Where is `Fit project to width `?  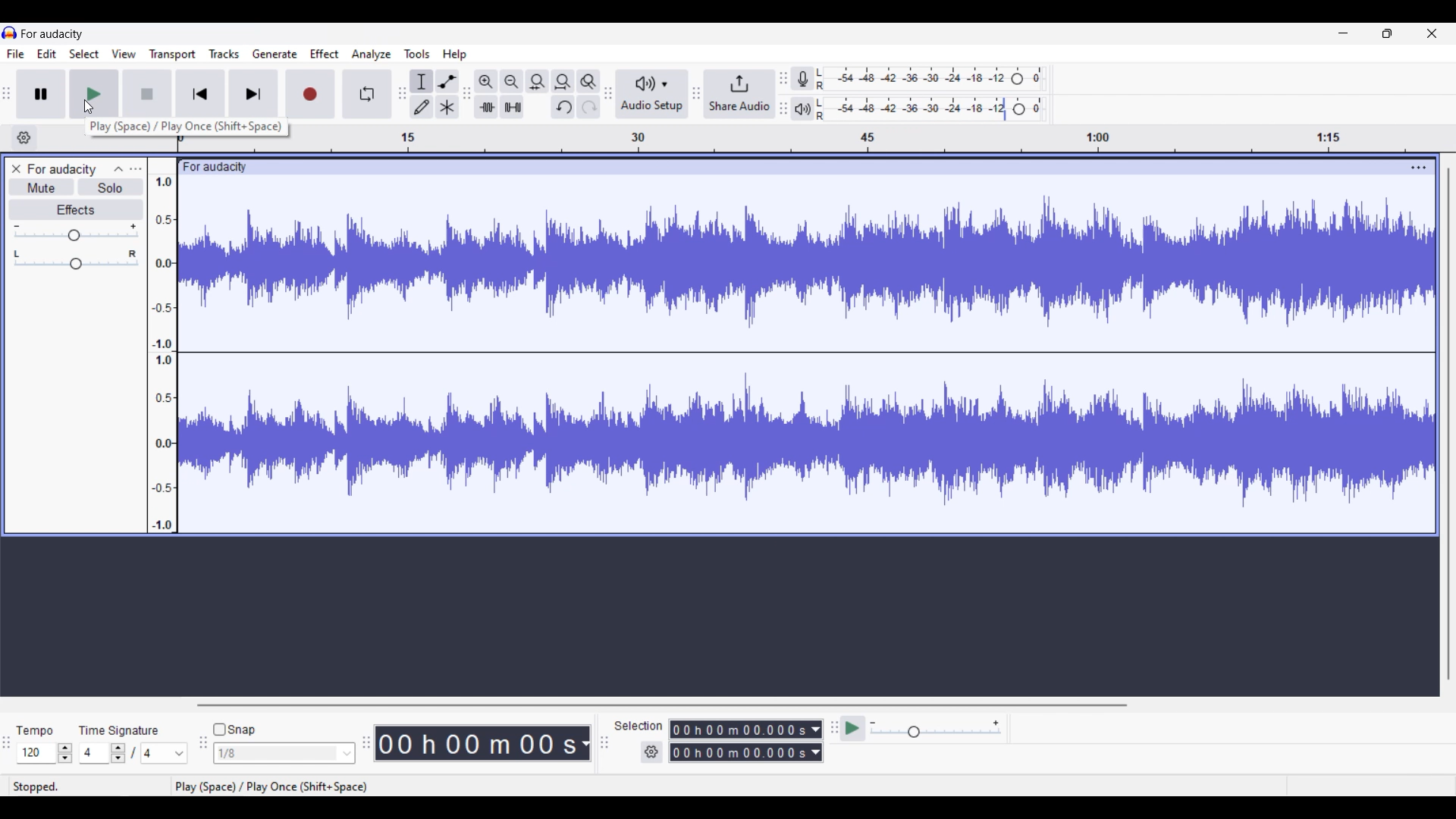
Fit project to width  is located at coordinates (563, 82).